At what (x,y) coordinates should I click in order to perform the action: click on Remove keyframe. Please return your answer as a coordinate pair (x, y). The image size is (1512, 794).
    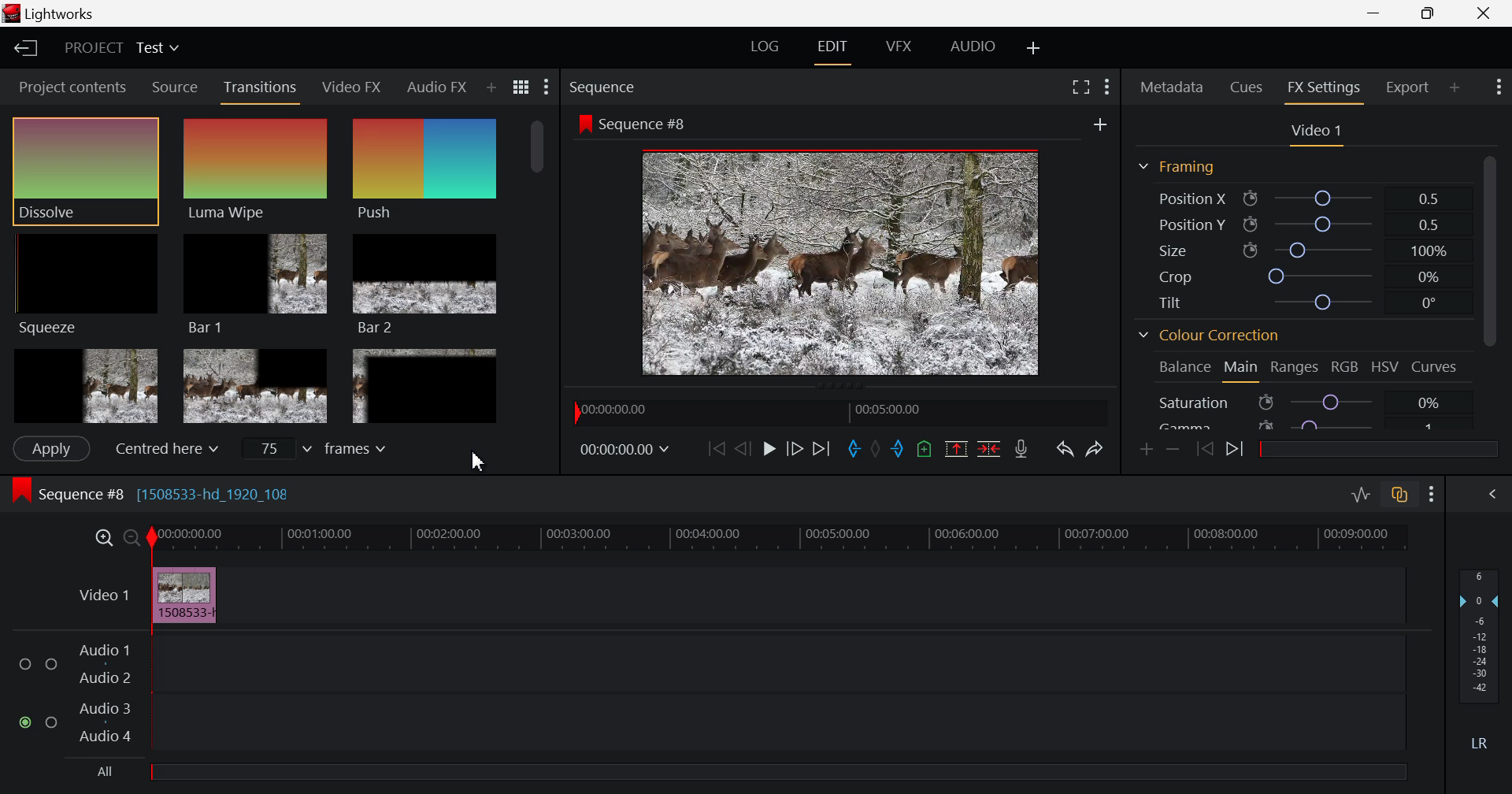
    Looking at the image, I should click on (1177, 448).